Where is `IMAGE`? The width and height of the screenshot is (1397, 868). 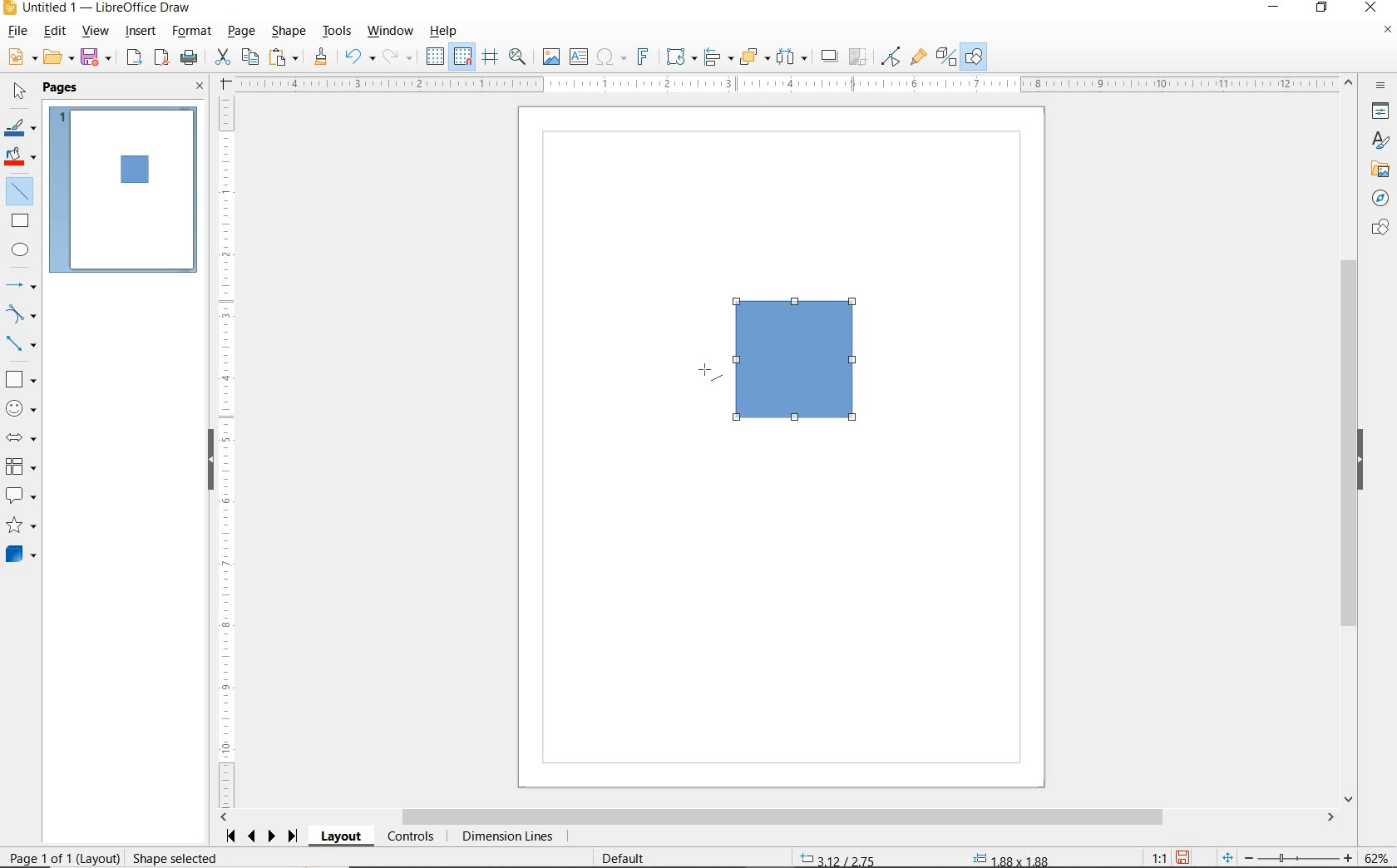
IMAGE is located at coordinates (550, 56).